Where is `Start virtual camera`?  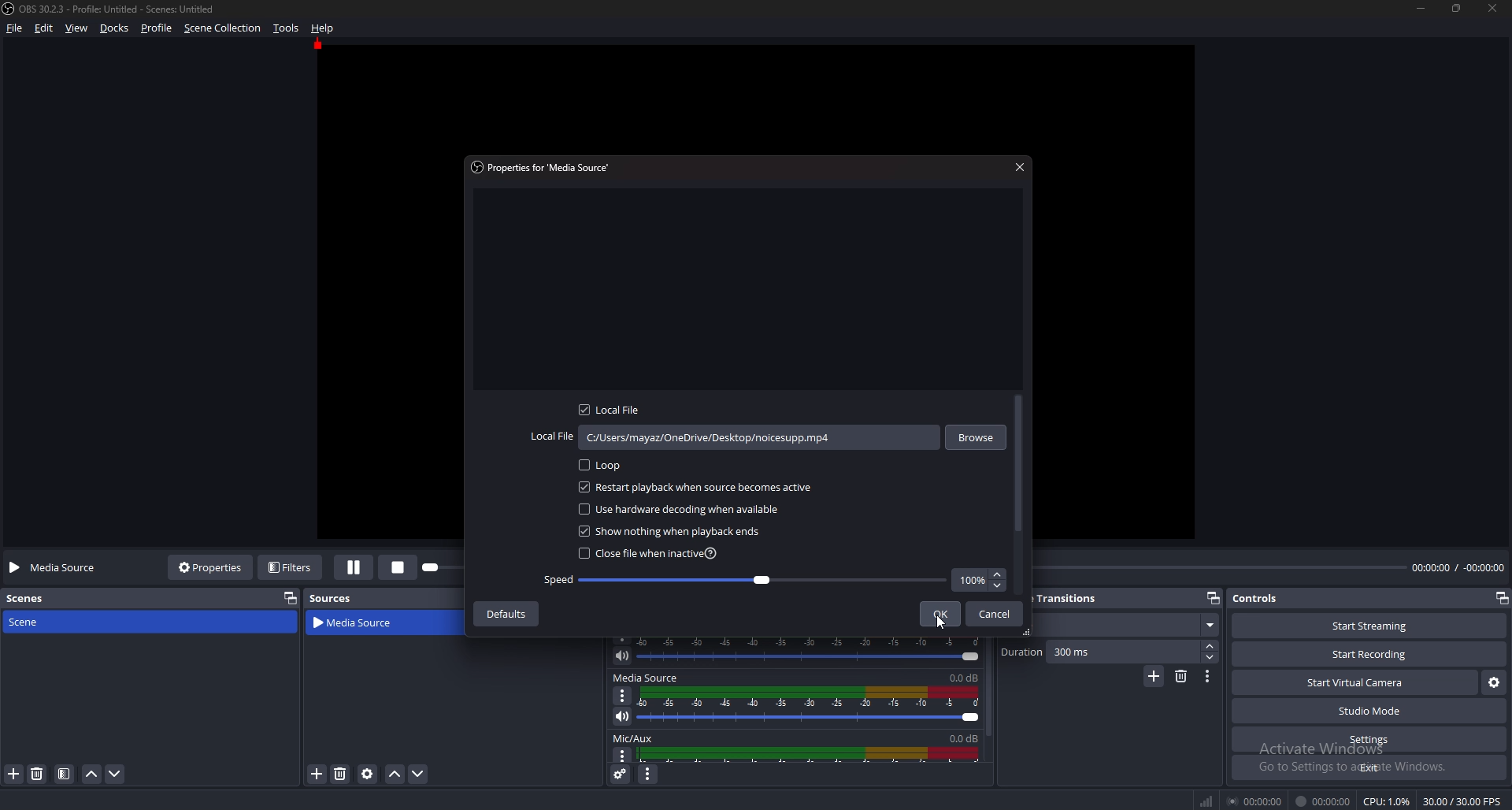
Start virtual camera is located at coordinates (1354, 682).